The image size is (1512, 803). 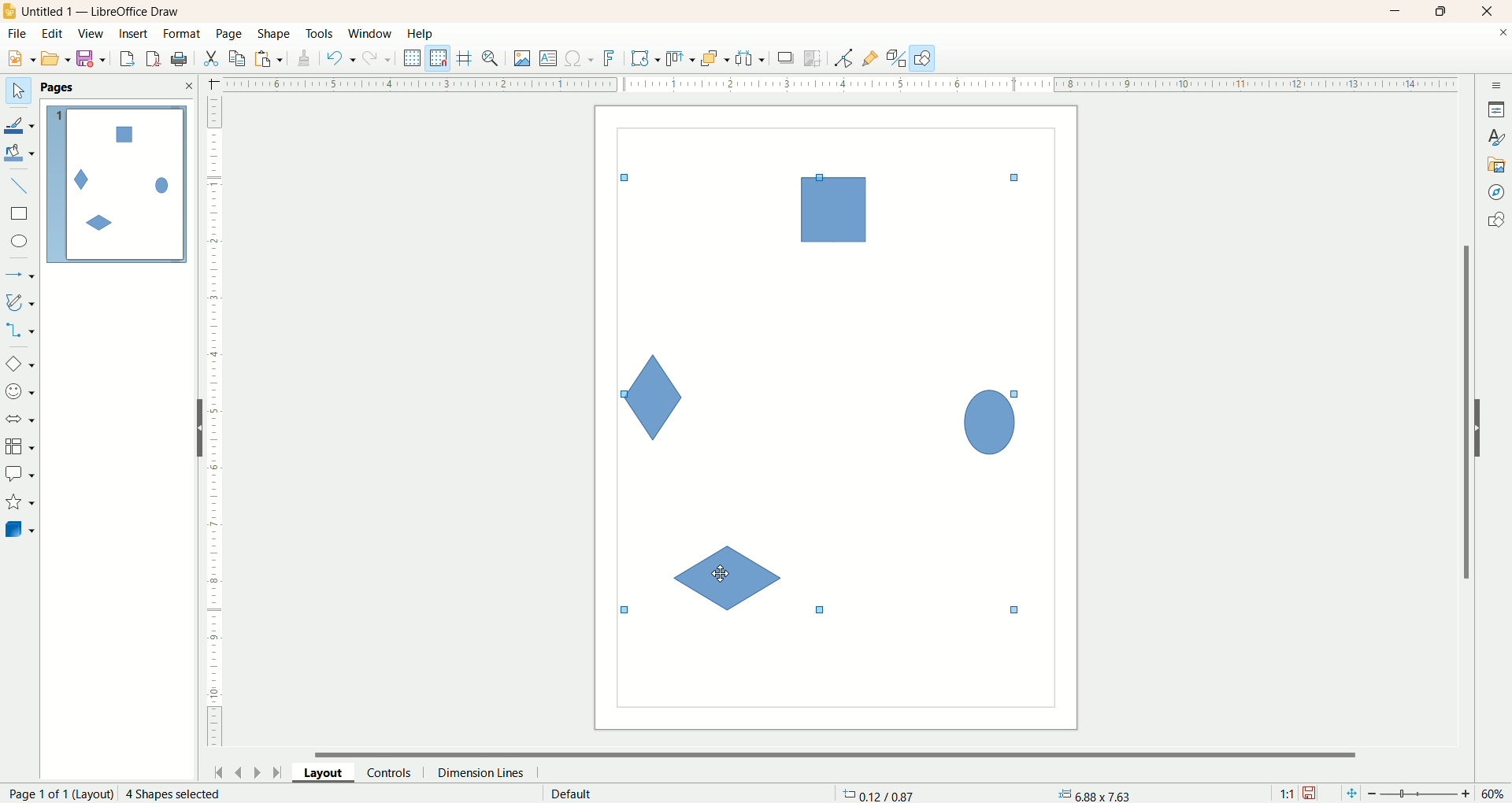 I want to click on line color, so click(x=20, y=124).